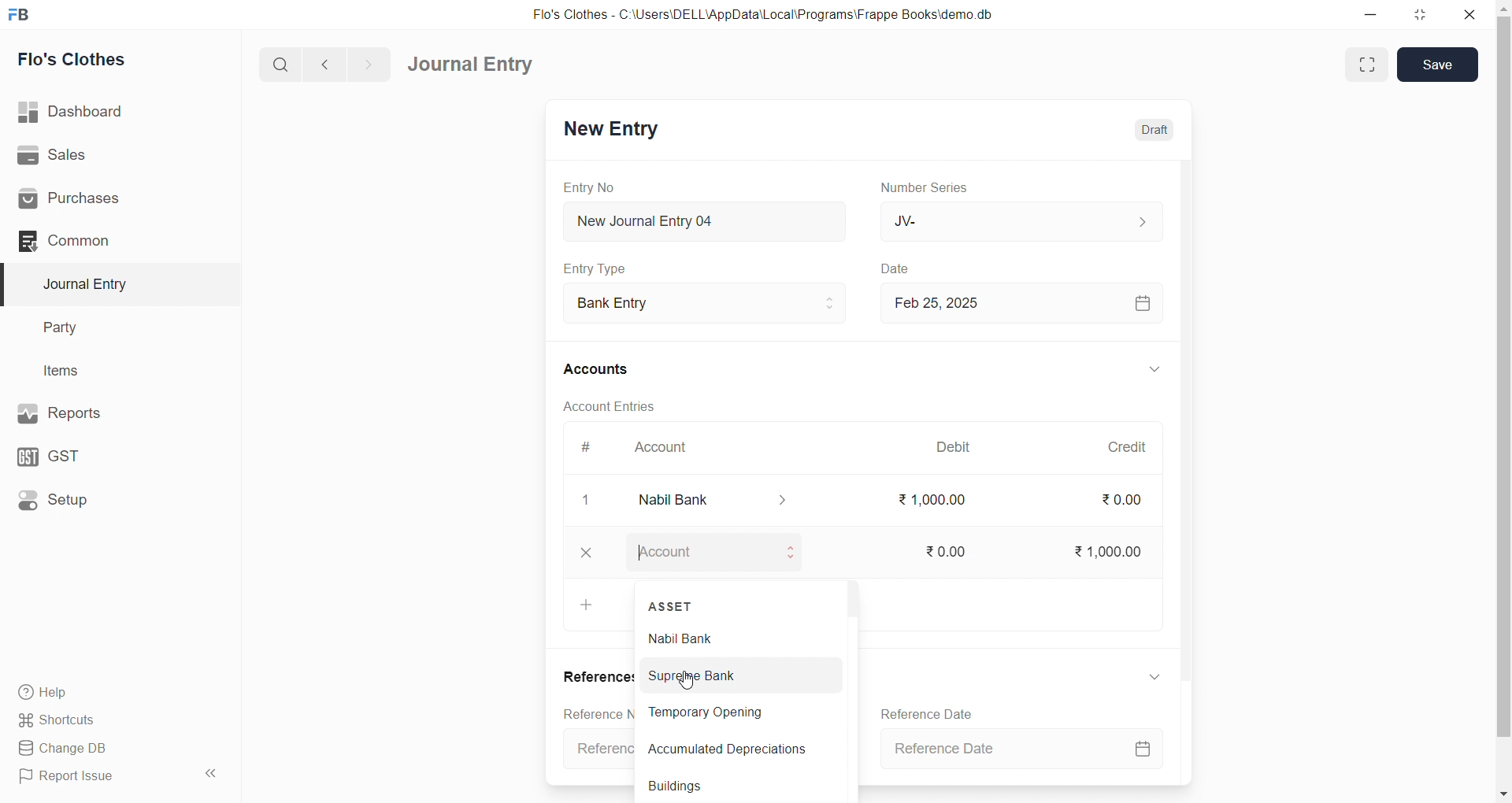  Describe the element at coordinates (729, 713) in the screenshot. I see `Temporary Opening` at that location.